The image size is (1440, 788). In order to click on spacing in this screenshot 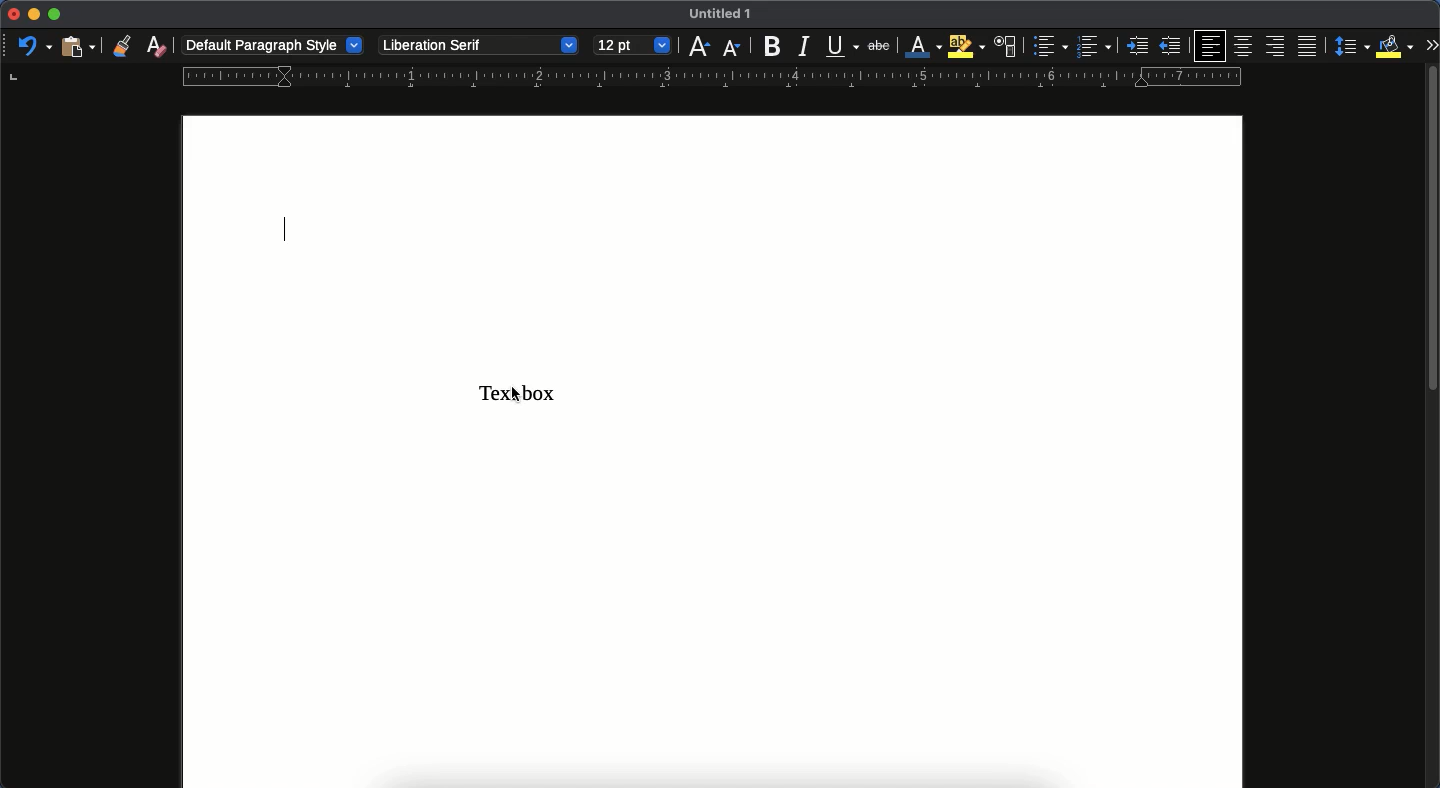, I will do `click(1353, 45)`.